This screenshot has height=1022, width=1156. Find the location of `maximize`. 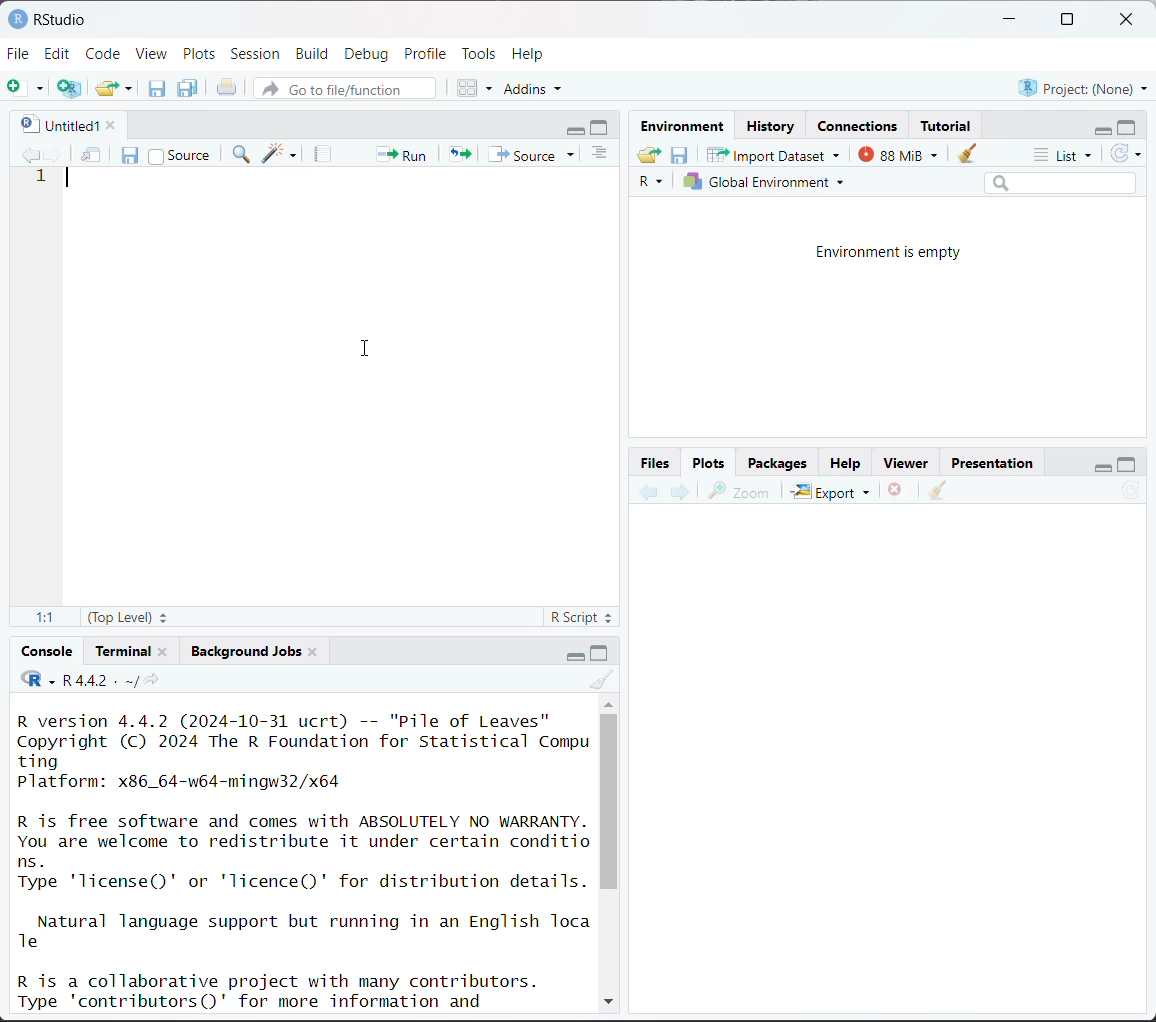

maximize is located at coordinates (1128, 126).